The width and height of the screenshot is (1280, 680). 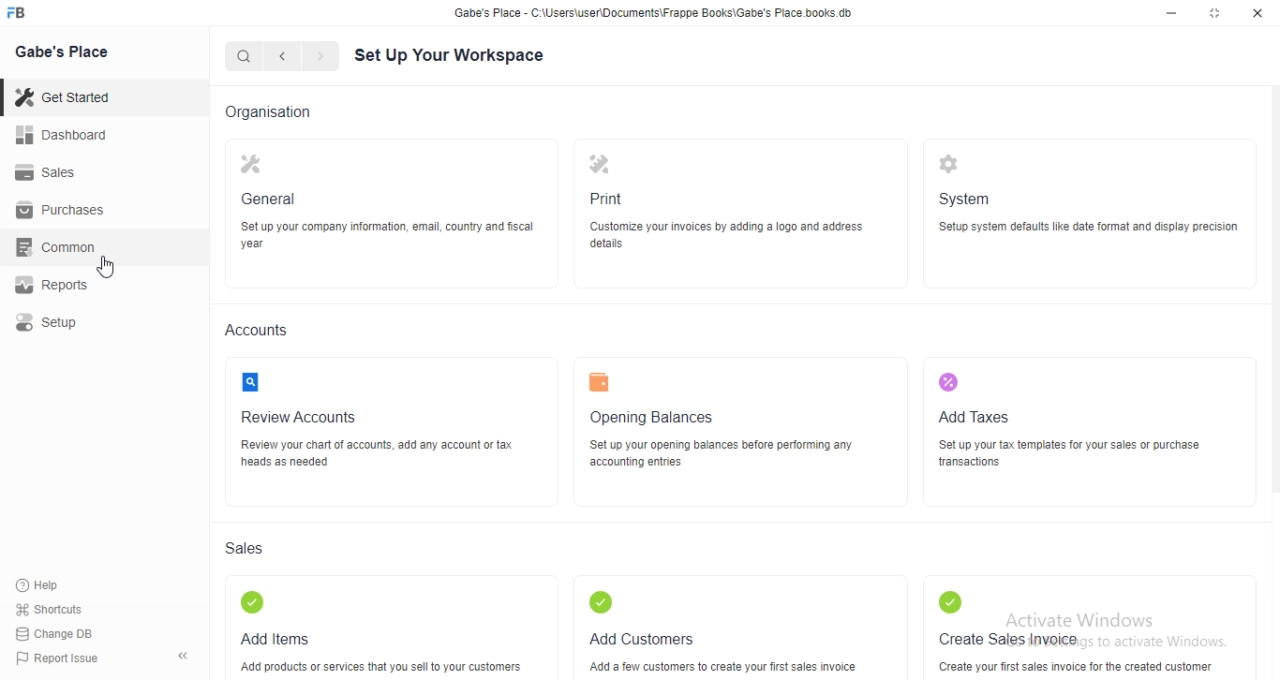 What do you see at coordinates (266, 113) in the screenshot?
I see `Organisation` at bounding box center [266, 113].